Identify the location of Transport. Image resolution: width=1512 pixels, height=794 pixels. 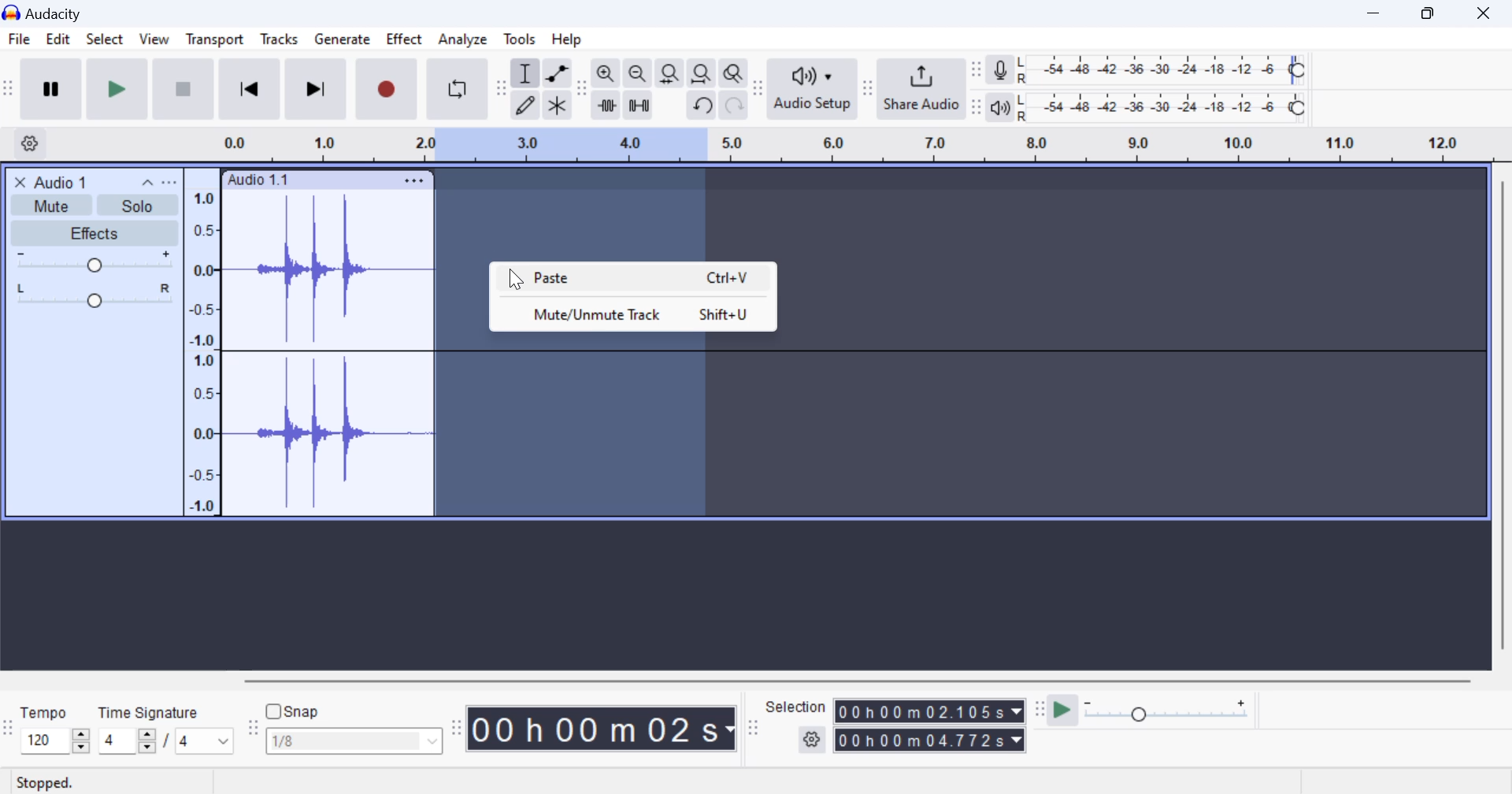
(214, 42).